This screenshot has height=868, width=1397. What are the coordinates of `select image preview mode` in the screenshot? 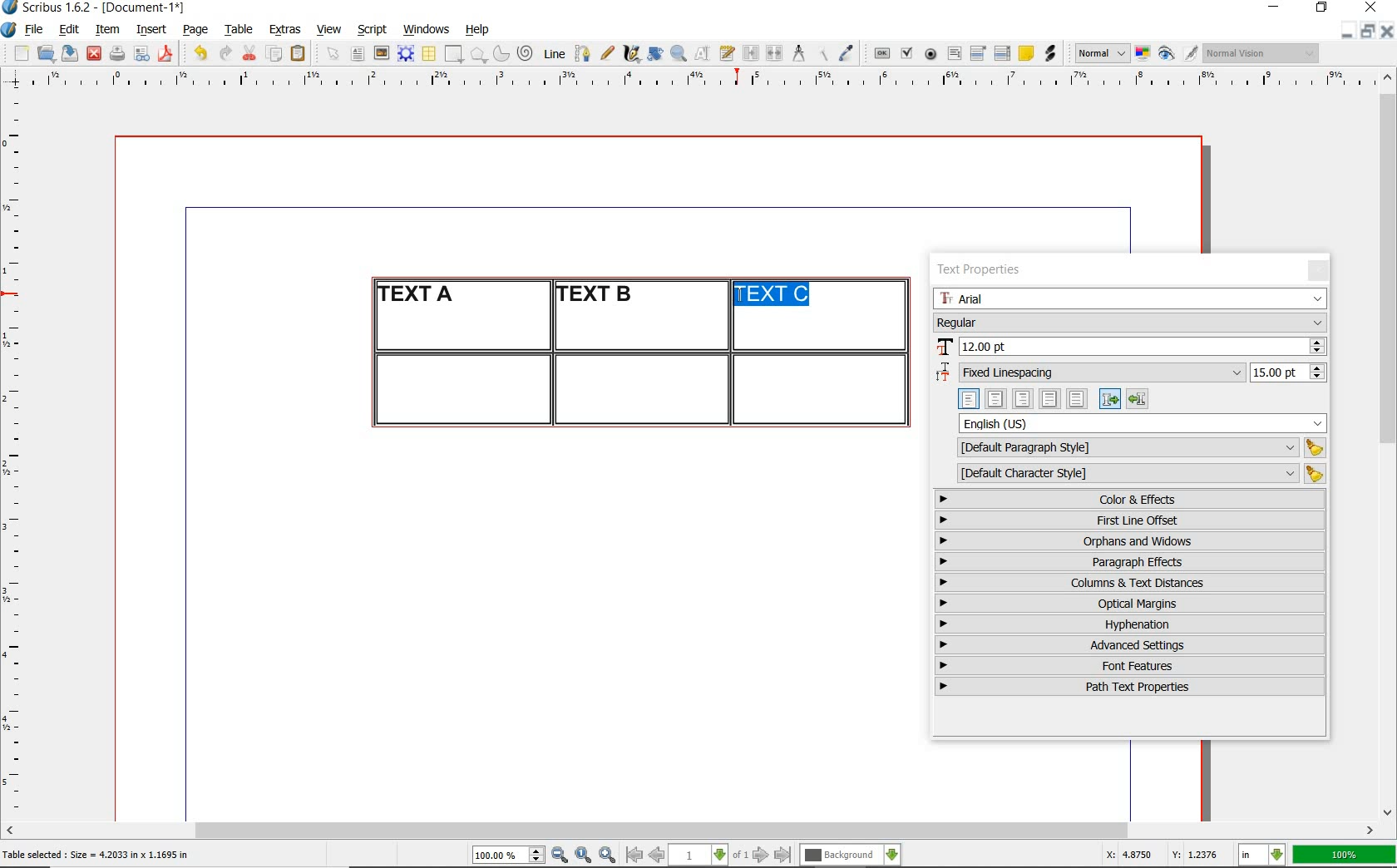 It's located at (1101, 54).